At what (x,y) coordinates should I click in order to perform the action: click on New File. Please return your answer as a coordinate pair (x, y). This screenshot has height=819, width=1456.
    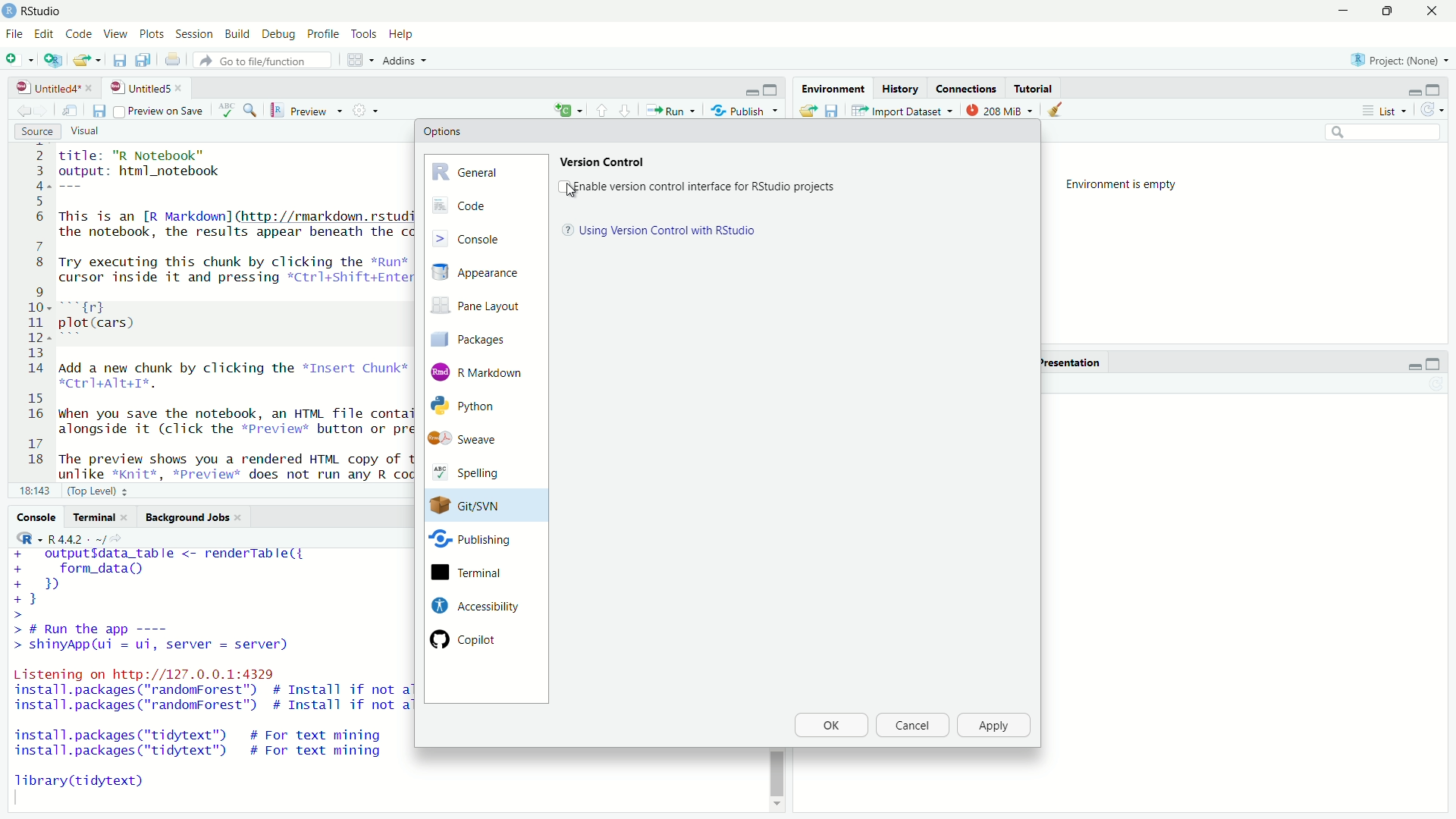
    Looking at the image, I should click on (20, 58).